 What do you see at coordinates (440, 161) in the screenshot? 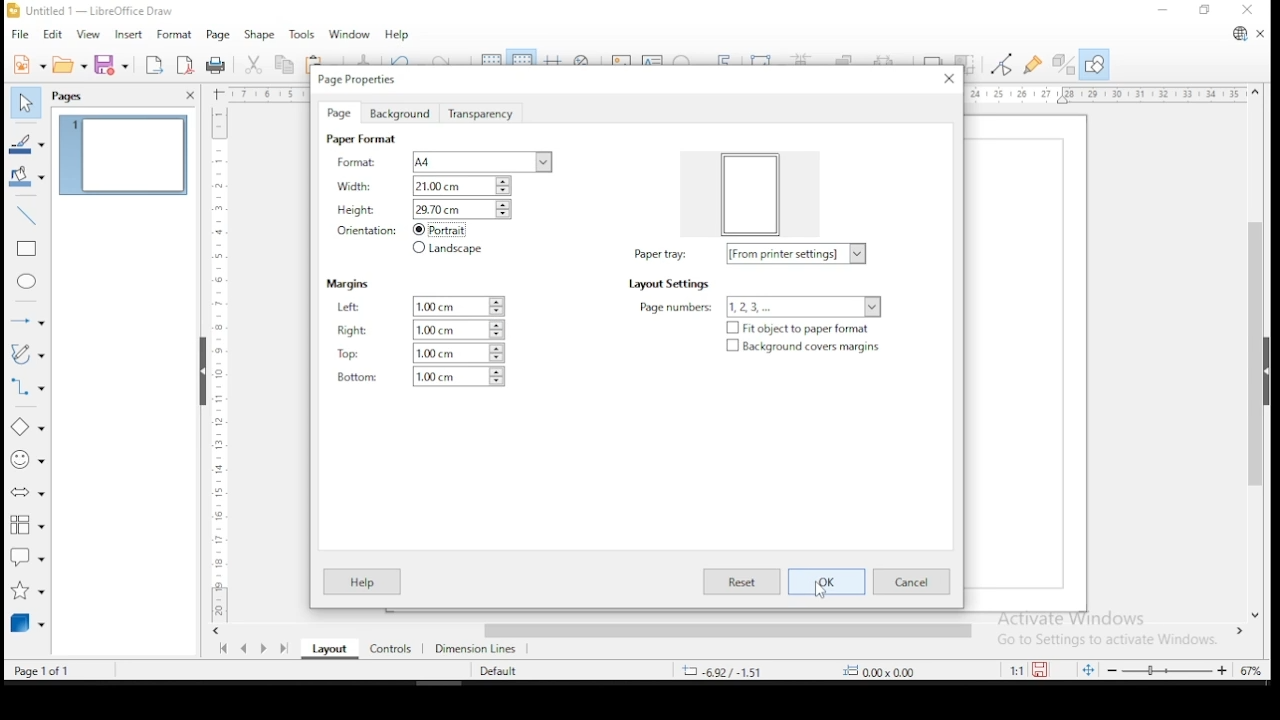
I see `format` at bounding box center [440, 161].